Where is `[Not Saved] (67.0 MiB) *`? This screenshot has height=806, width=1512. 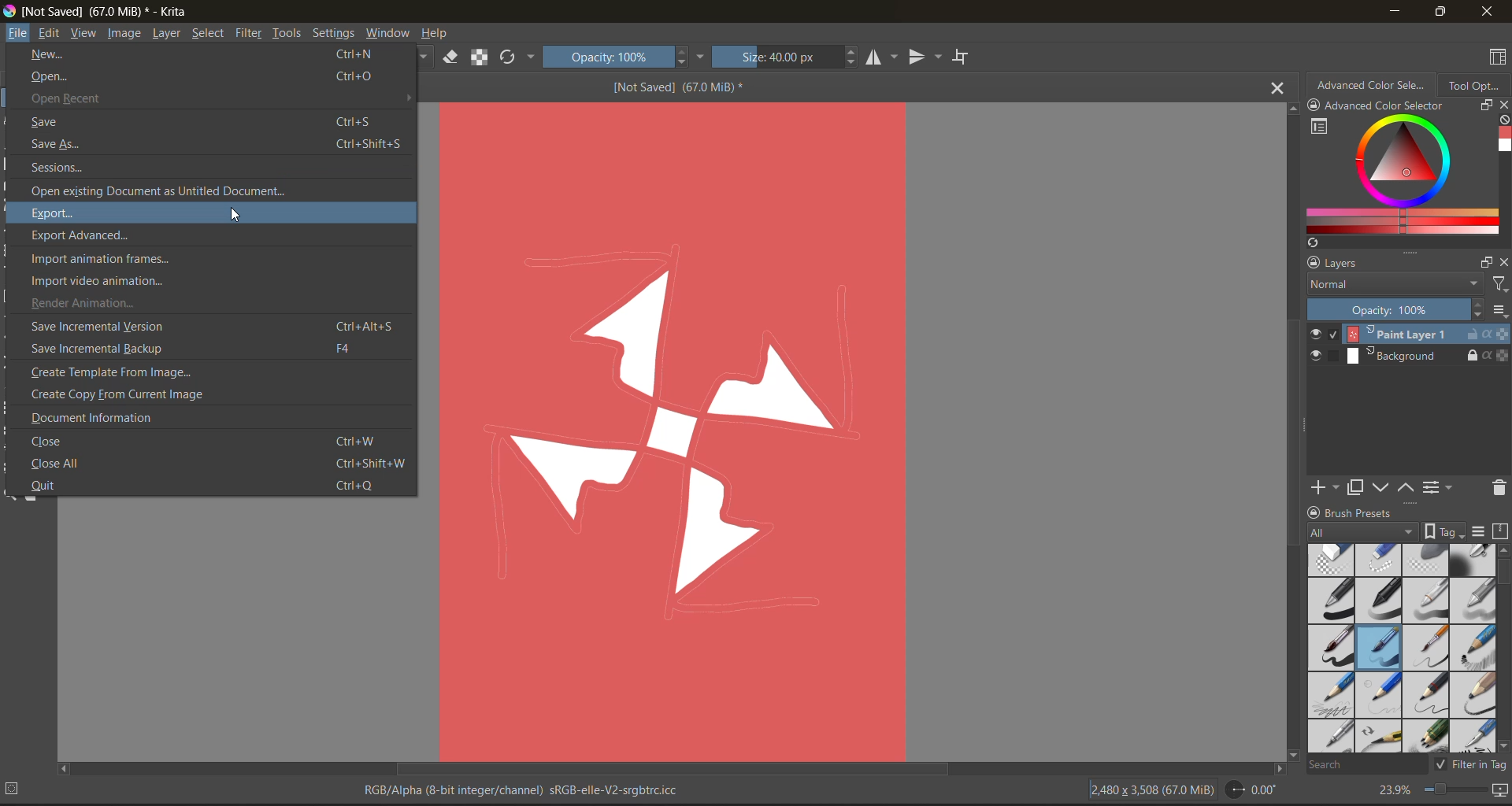
[Not Saved] (67.0 MiB) * is located at coordinates (674, 88).